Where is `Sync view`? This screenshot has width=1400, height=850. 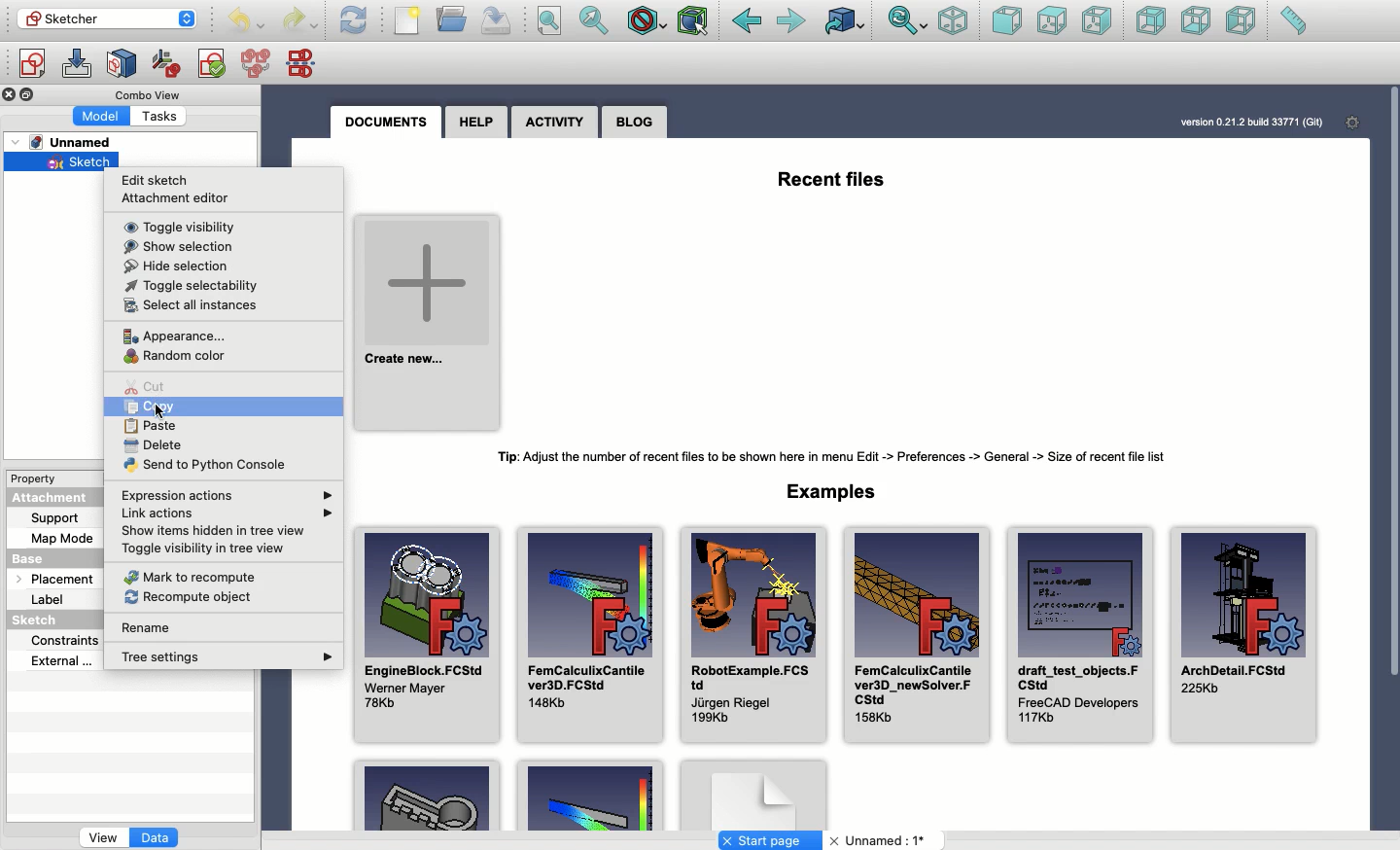
Sync view is located at coordinates (908, 22).